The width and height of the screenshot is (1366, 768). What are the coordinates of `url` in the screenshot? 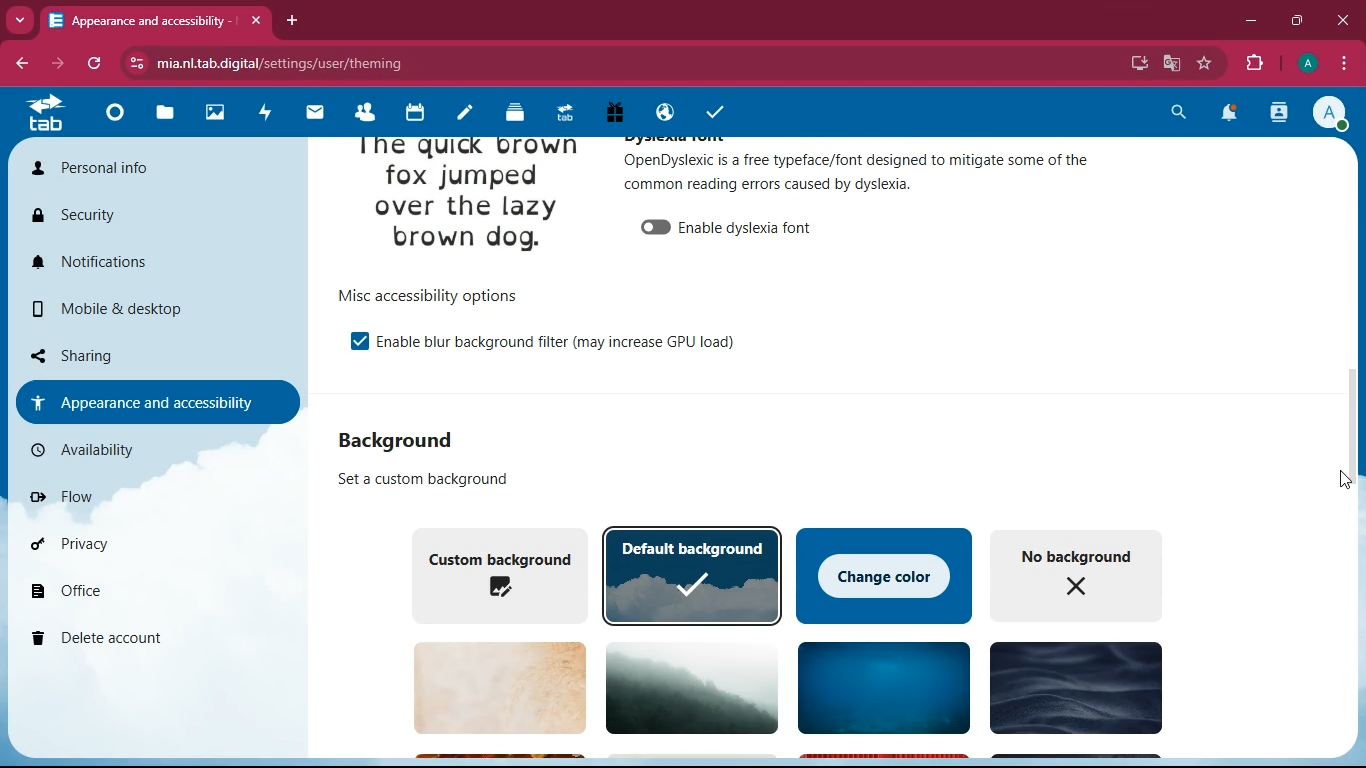 It's located at (283, 64).